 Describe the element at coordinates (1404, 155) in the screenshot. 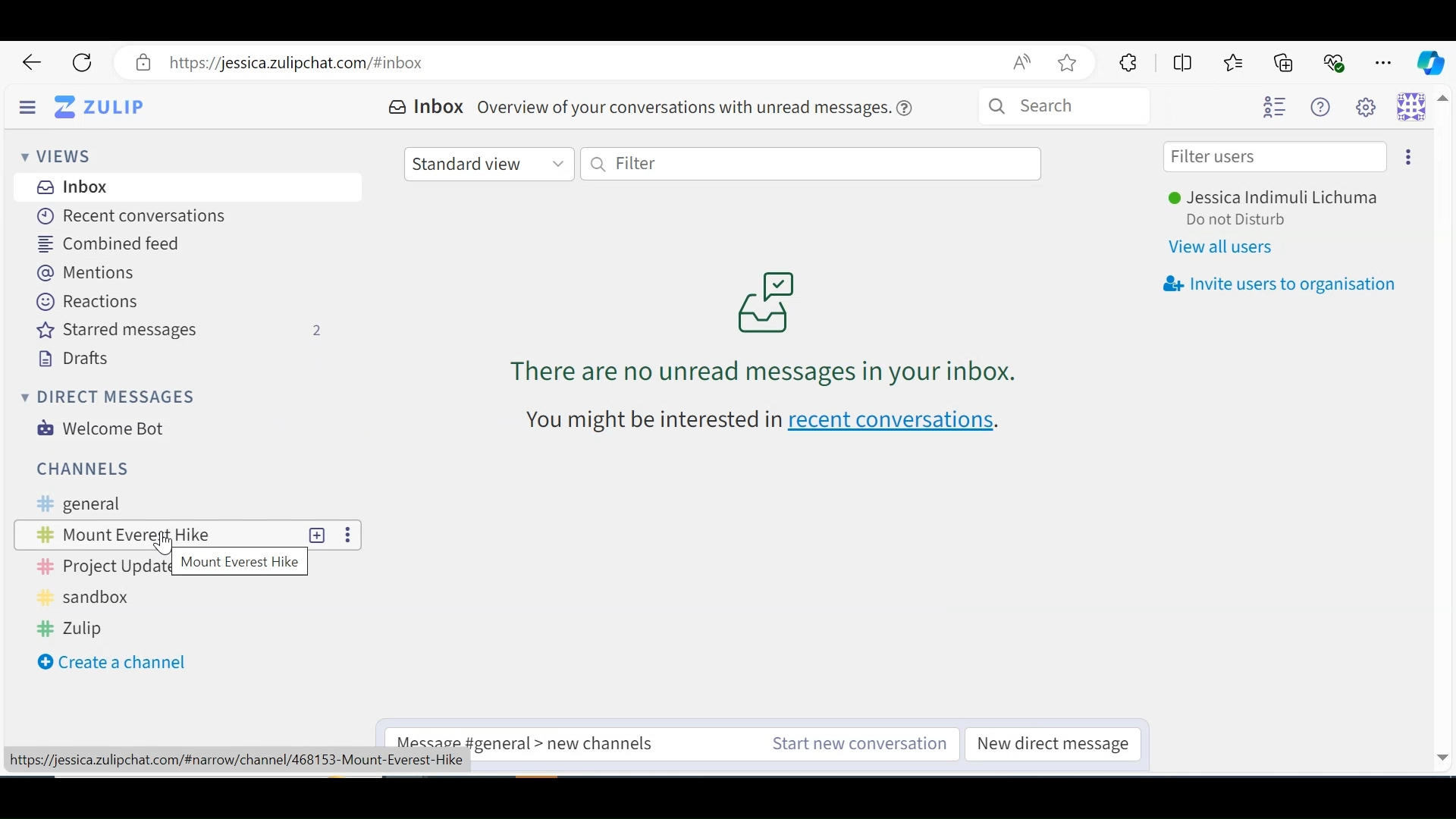

I see `More options` at that location.